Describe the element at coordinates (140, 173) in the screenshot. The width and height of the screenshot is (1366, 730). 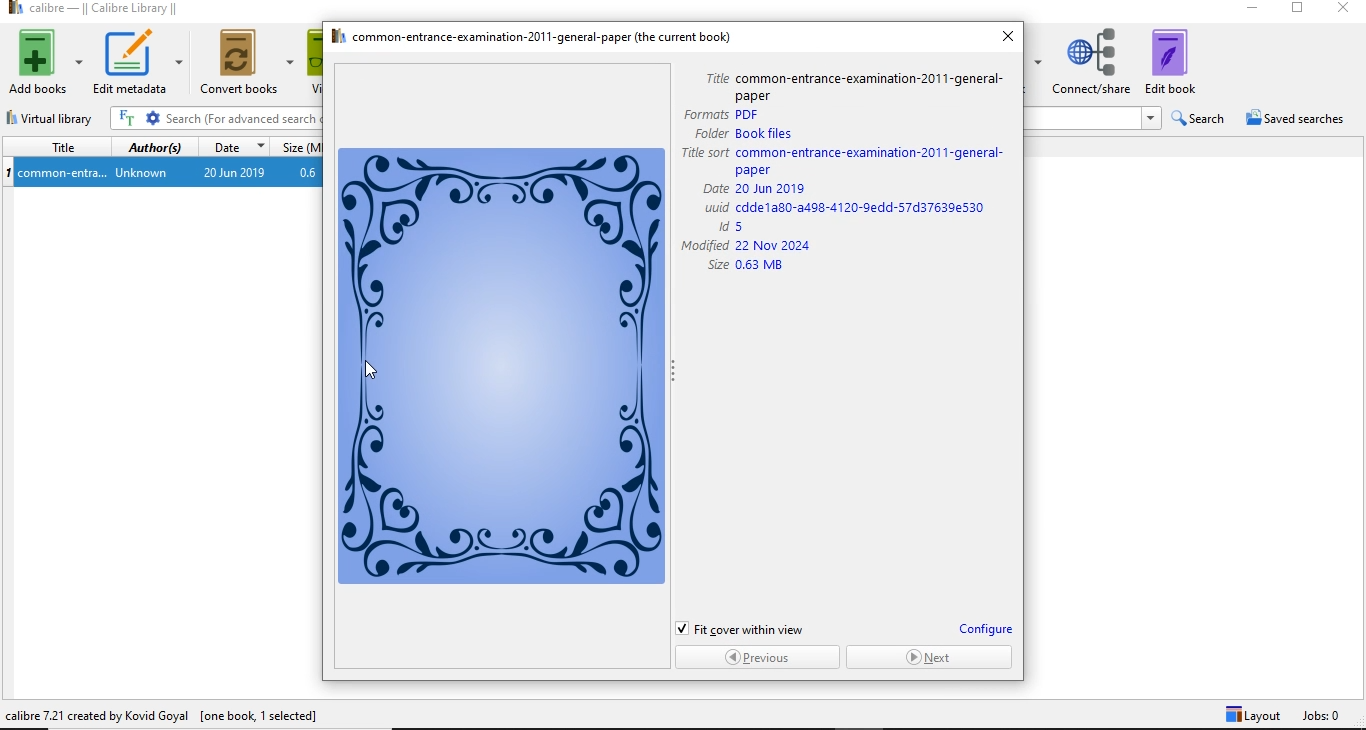
I see `Unknown` at that location.